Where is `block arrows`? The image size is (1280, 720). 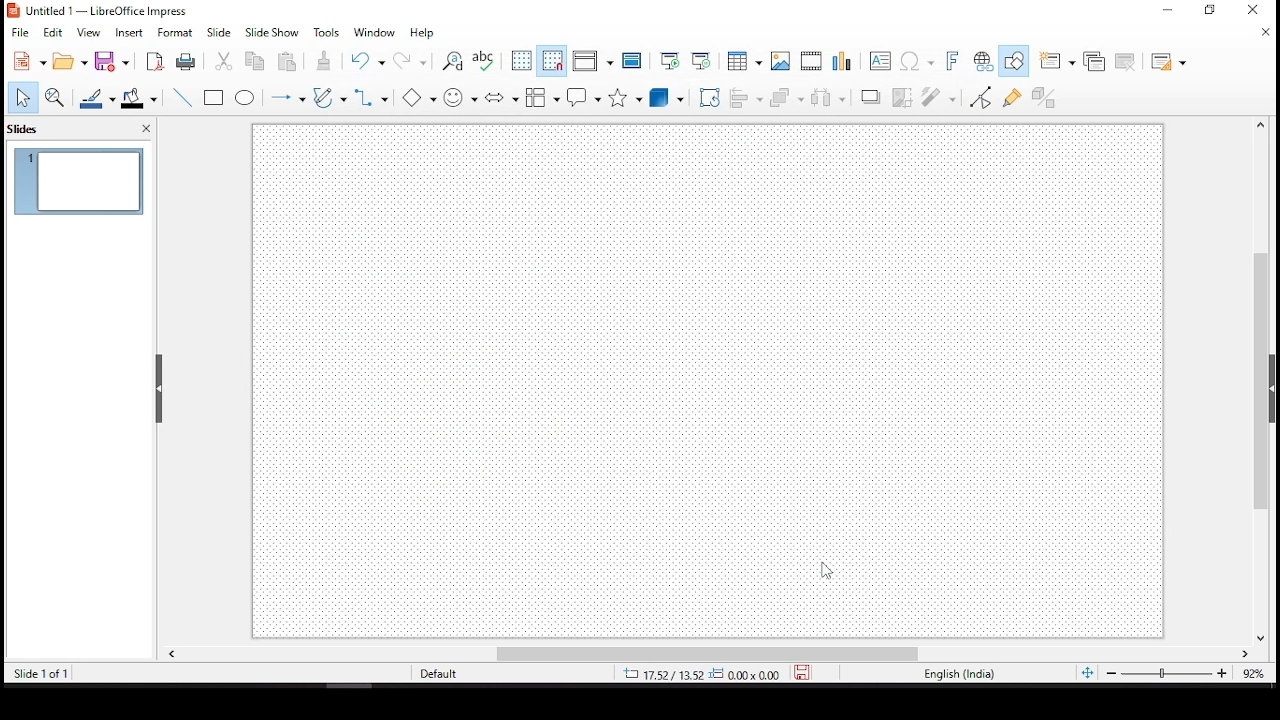
block arrows is located at coordinates (500, 96).